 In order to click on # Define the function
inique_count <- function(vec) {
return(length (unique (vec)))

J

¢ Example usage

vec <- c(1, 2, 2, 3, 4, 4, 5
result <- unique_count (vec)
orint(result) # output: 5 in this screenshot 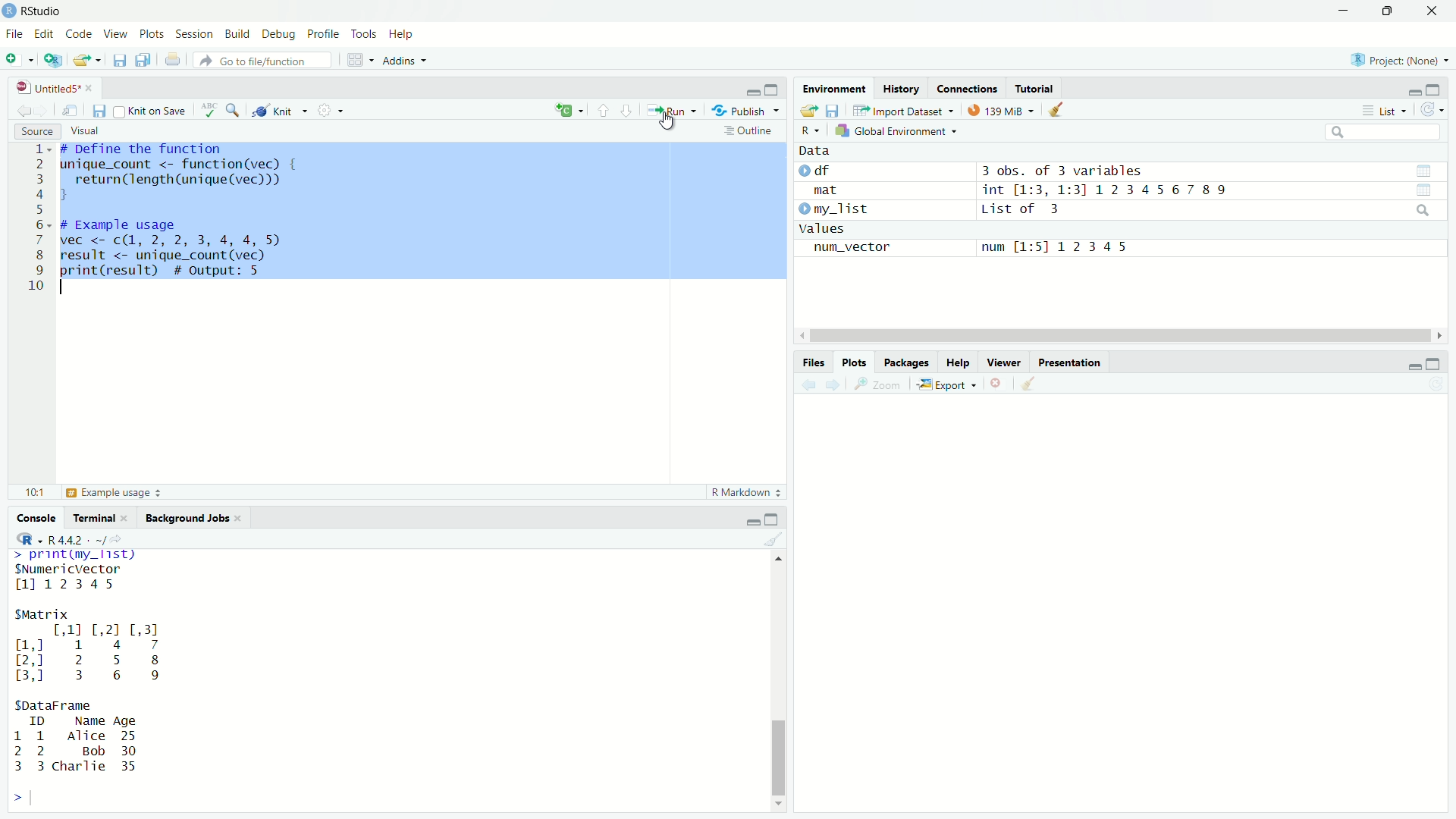, I will do `click(177, 215)`.